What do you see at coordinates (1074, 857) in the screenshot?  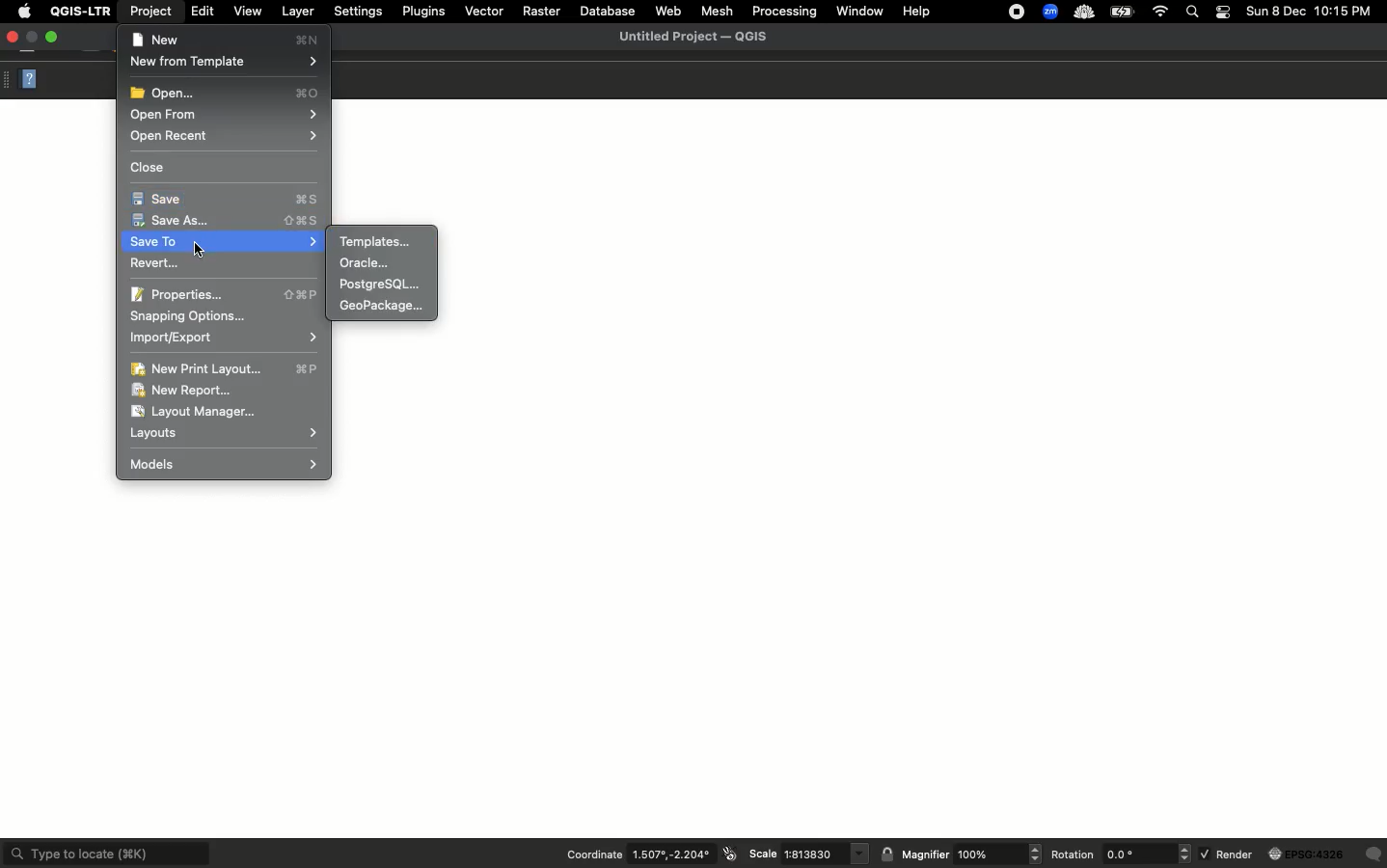 I see `Rotation` at bounding box center [1074, 857].